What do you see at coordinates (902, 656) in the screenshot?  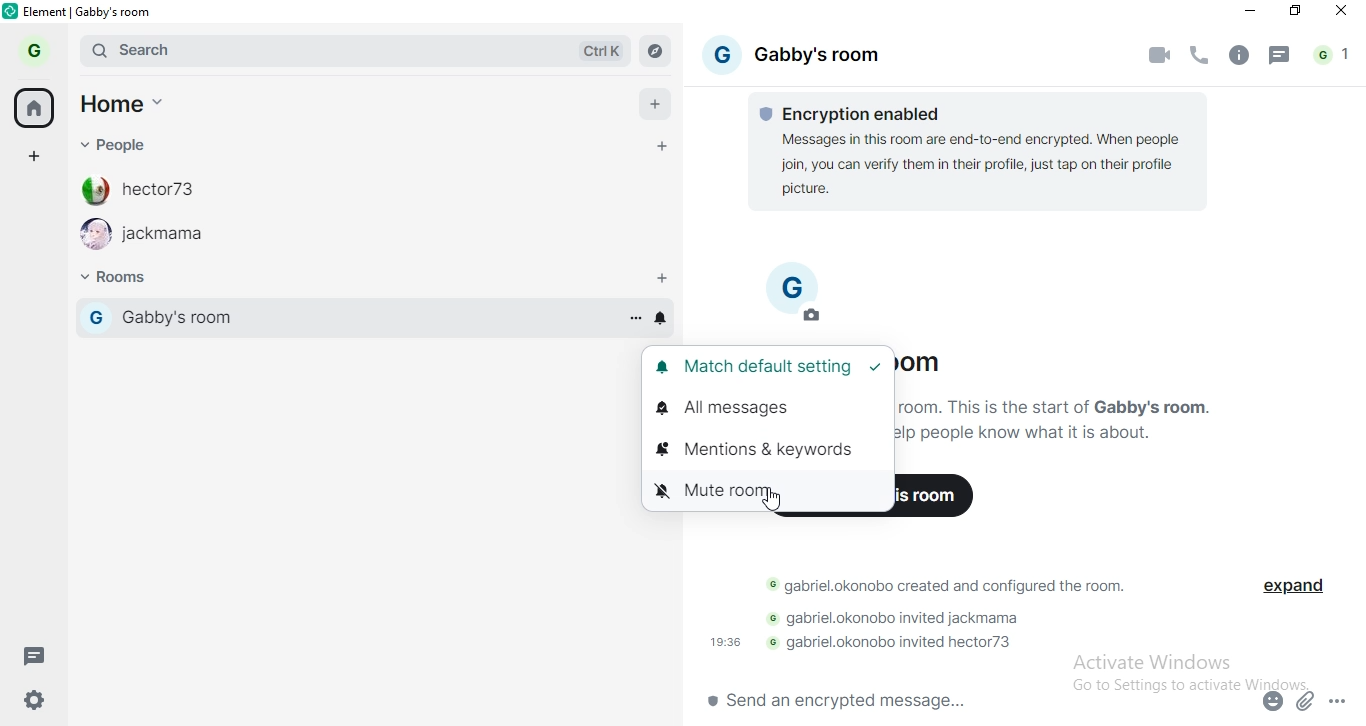 I see `text 4` at bounding box center [902, 656].